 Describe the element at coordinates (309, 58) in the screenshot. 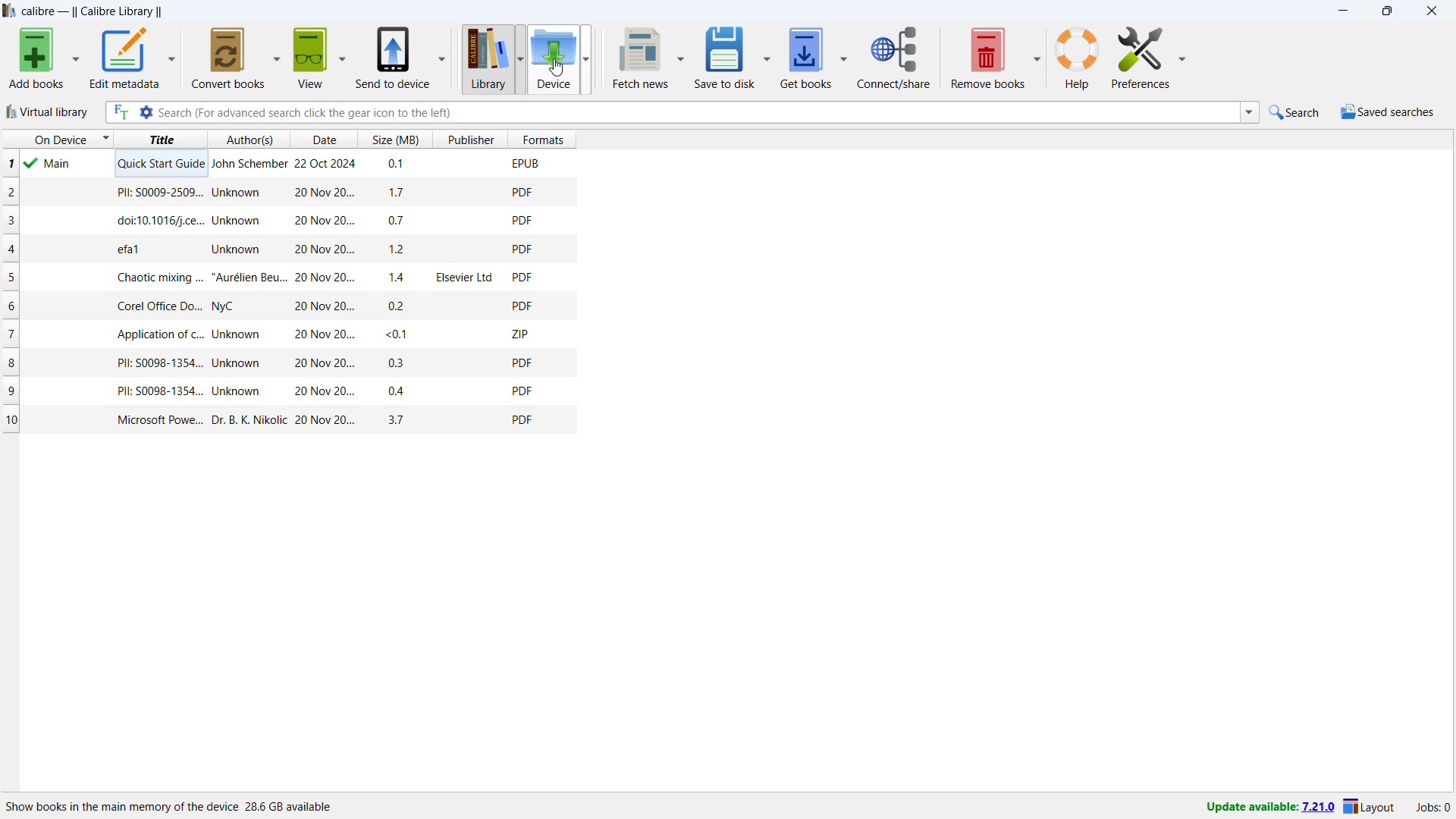

I see `view` at that location.